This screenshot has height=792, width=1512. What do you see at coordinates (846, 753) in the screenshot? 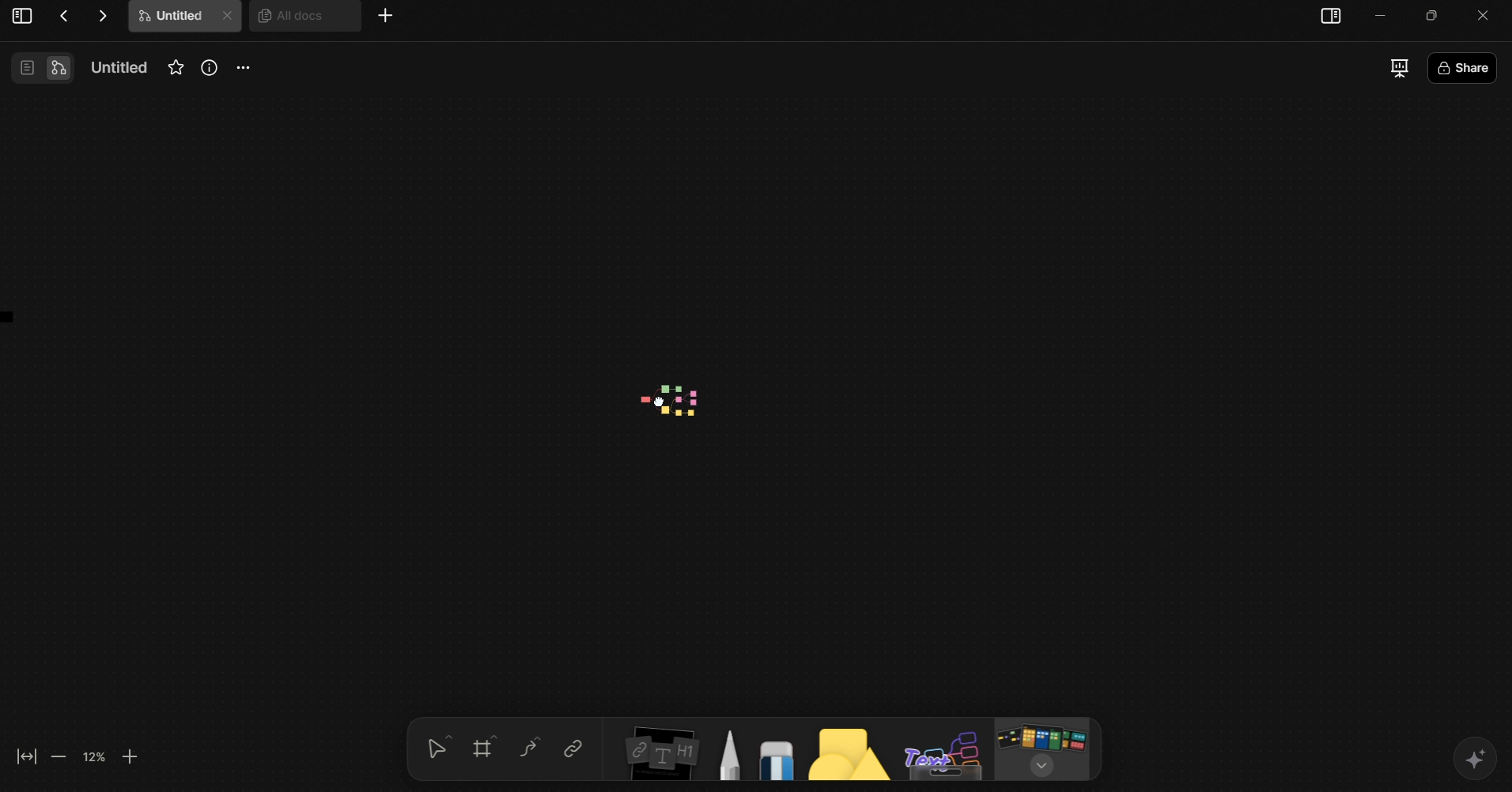
I see `Shapes tool` at bounding box center [846, 753].